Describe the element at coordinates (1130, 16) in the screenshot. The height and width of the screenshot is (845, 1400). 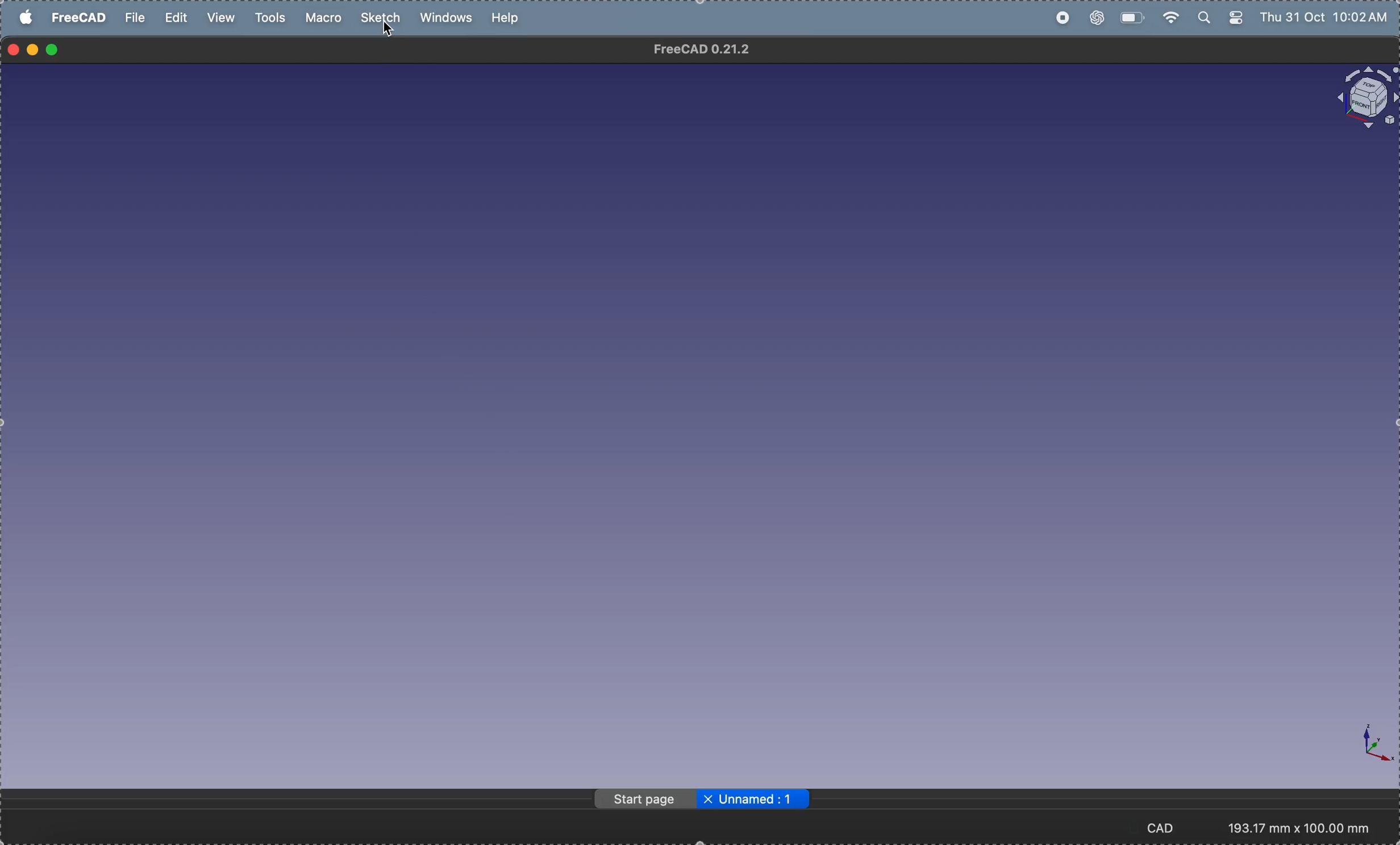
I see `battery` at that location.